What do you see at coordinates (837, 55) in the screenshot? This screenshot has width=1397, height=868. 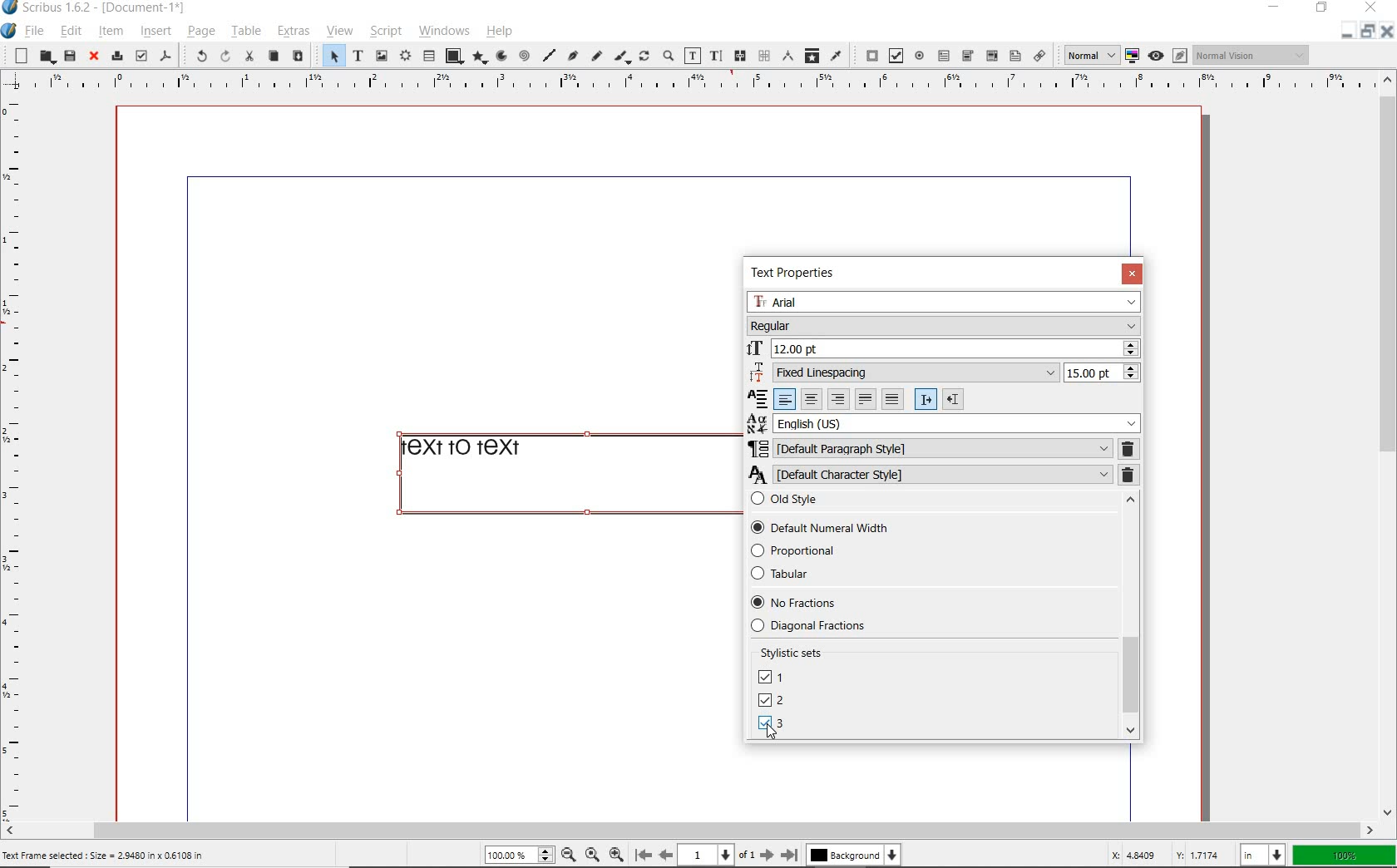 I see `eye dropper` at bounding box center [837, 55].